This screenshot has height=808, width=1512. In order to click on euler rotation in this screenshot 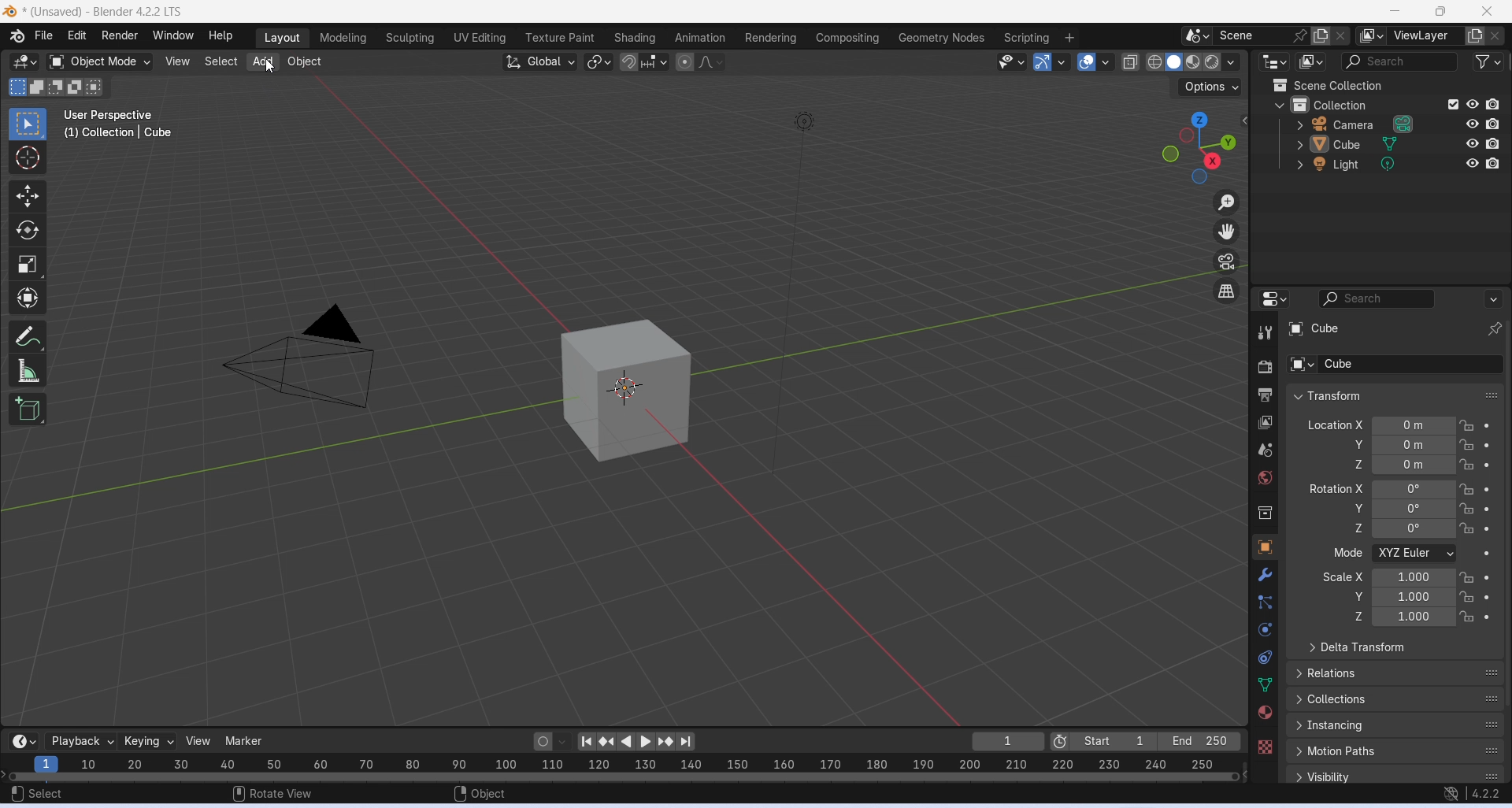, I will do `click(1414, 508)`.